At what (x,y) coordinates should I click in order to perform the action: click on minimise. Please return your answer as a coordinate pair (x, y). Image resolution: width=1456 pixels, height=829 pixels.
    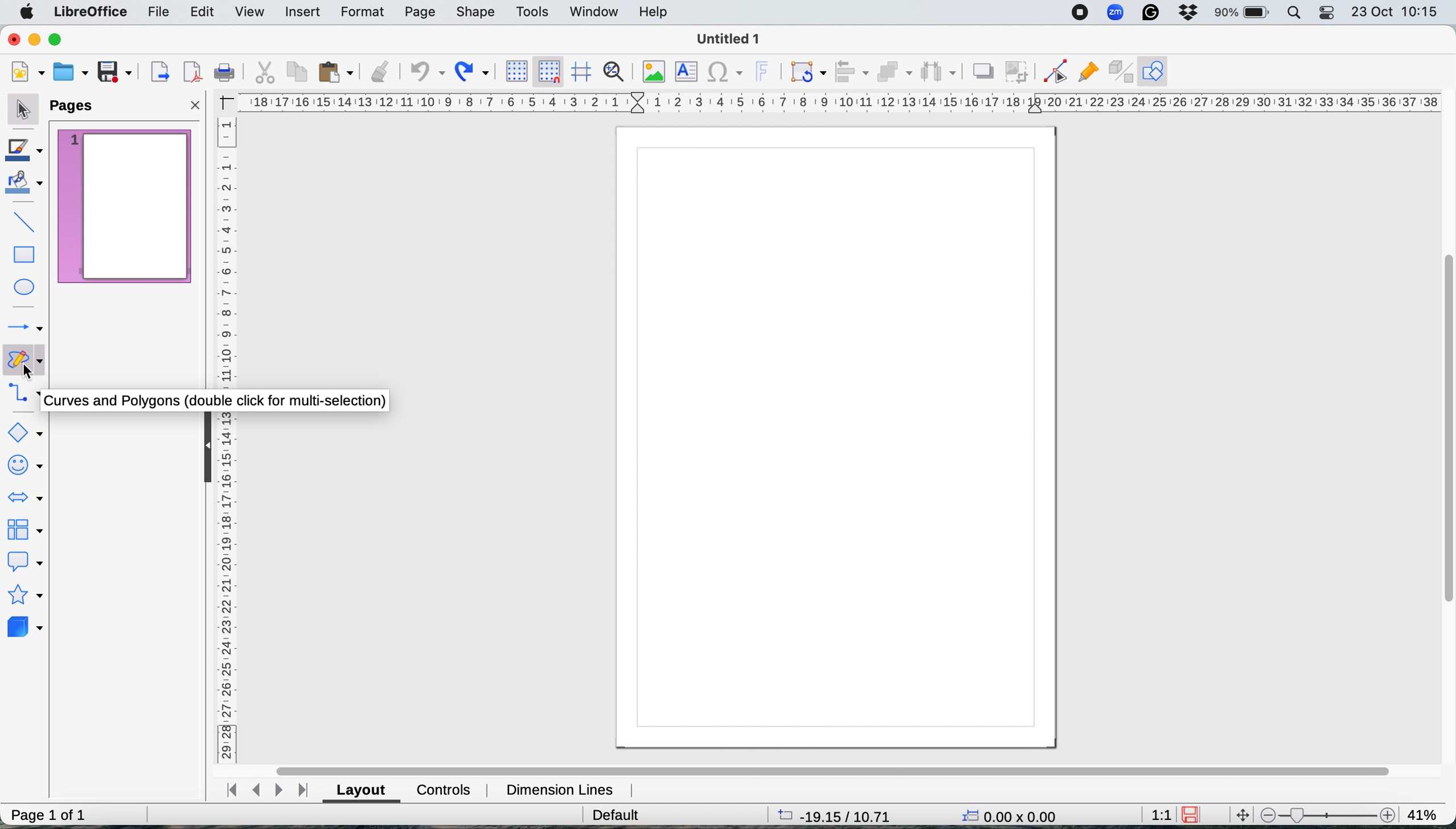
    Looking at the image, I should click on (34, 40).